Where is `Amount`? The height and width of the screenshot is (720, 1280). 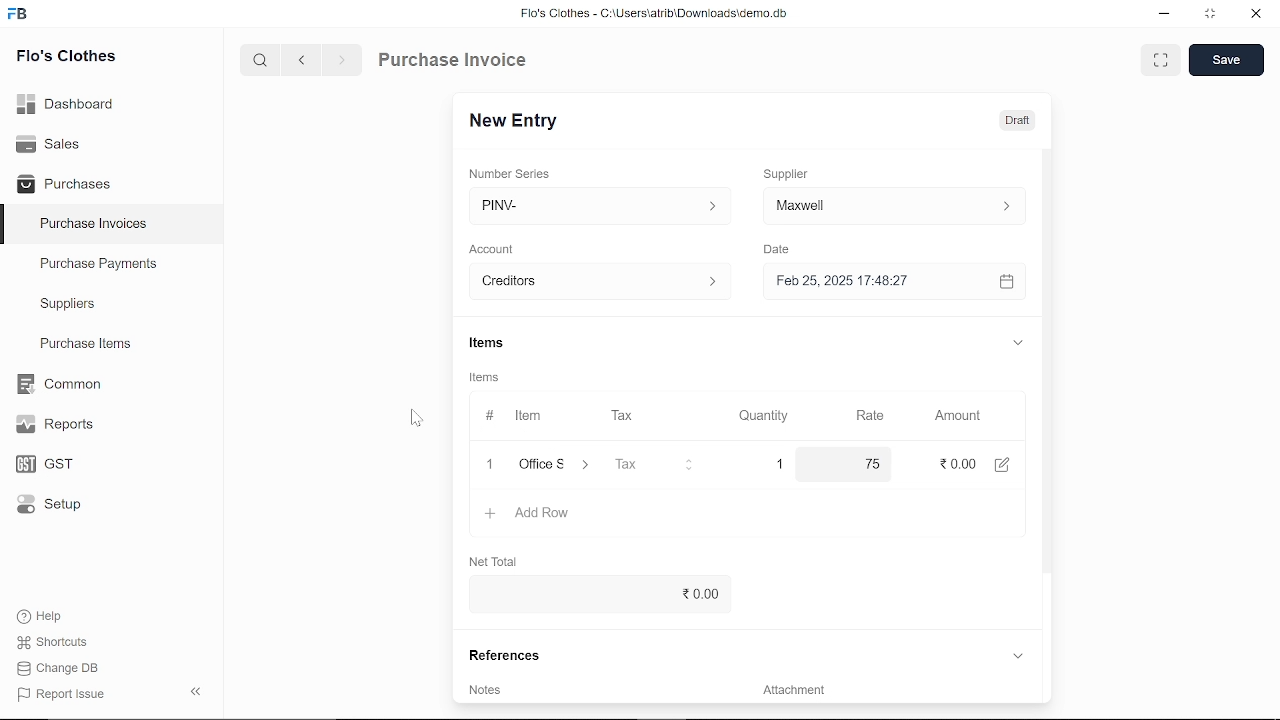
Amount is located at coordinates (956, 414).